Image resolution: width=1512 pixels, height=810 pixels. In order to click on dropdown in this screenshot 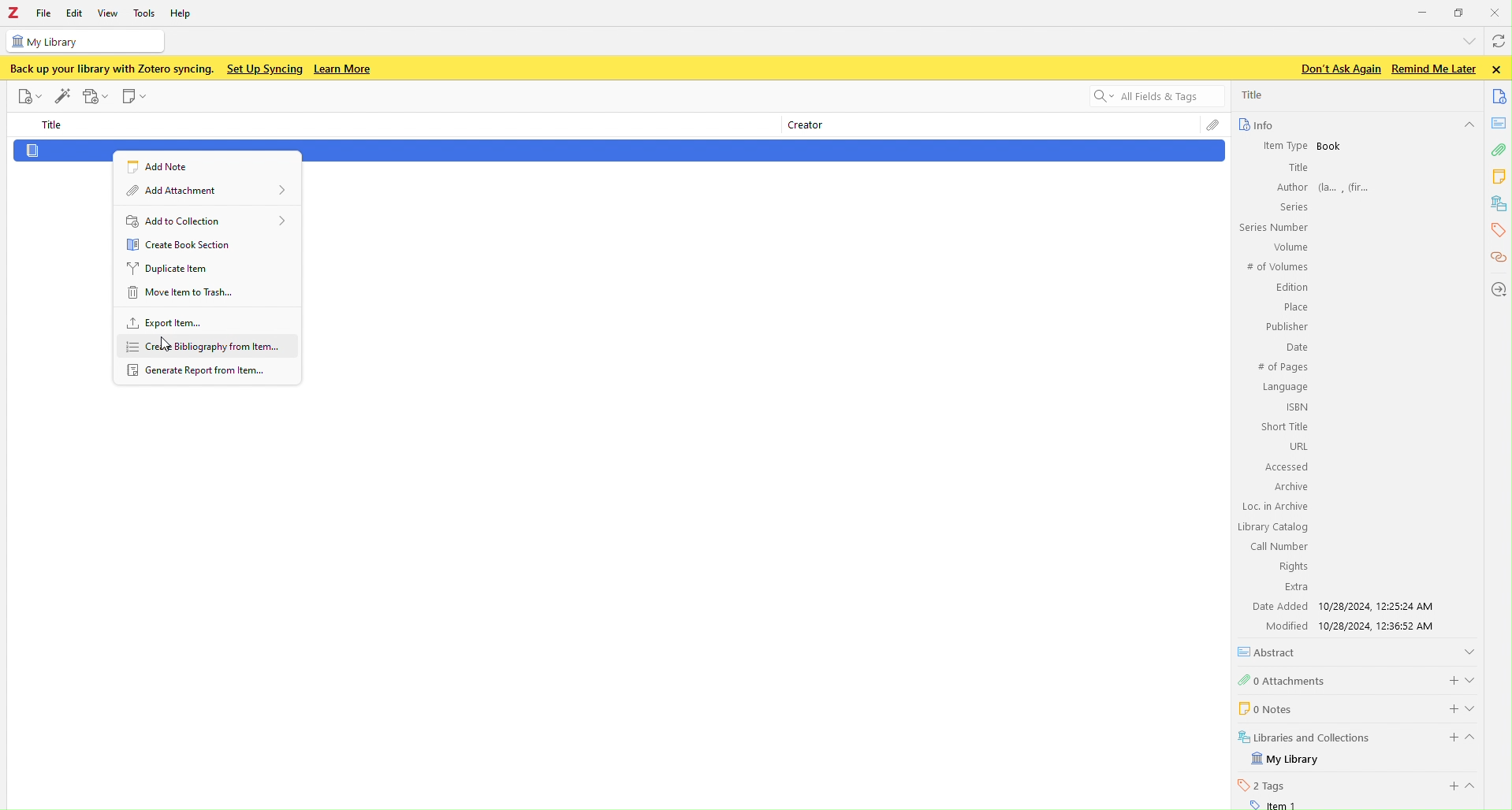, I will do `click(1466, 40)`.